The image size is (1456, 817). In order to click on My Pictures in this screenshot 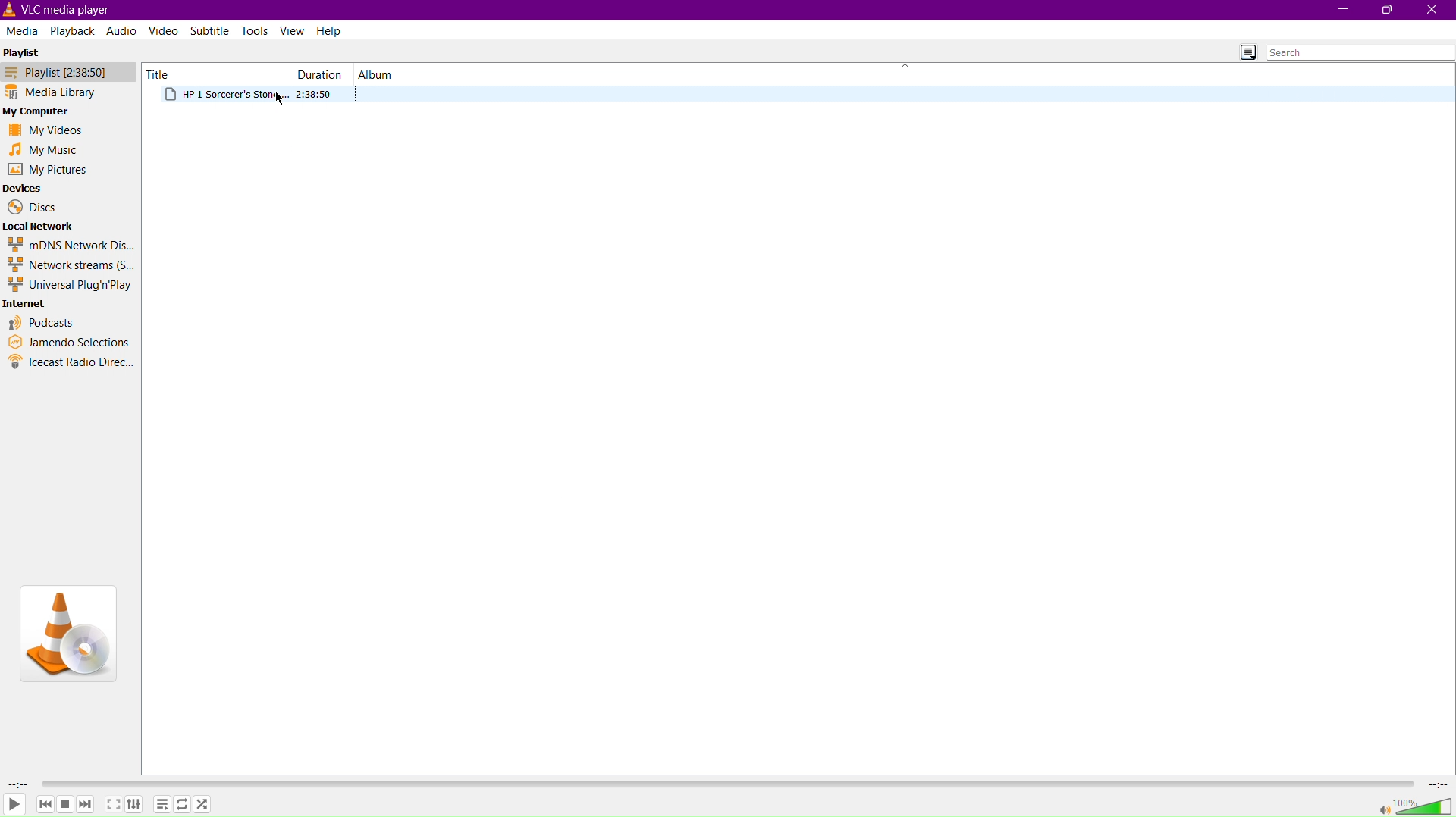, I will do `click(46, 171)`.